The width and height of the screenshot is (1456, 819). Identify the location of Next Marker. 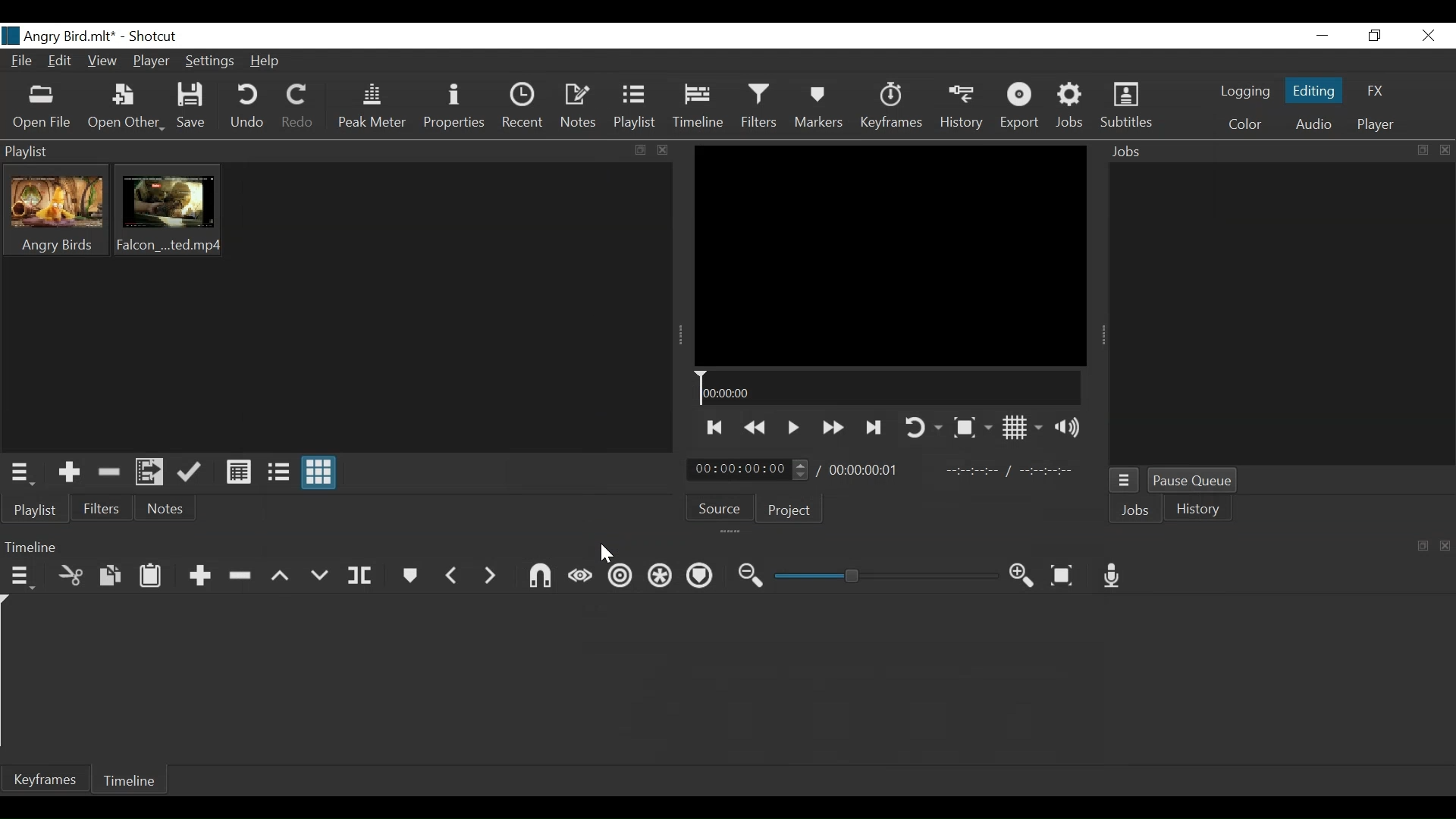
(494, 576).